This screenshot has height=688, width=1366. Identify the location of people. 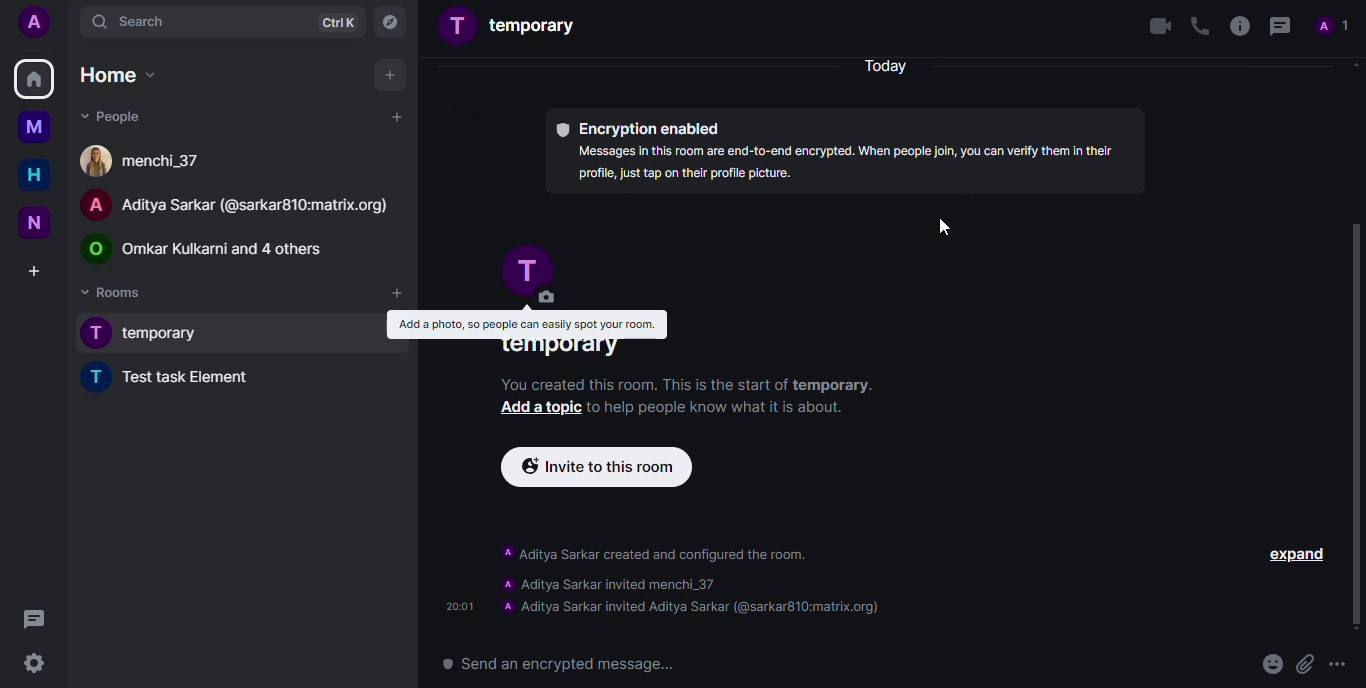
(110, 115).